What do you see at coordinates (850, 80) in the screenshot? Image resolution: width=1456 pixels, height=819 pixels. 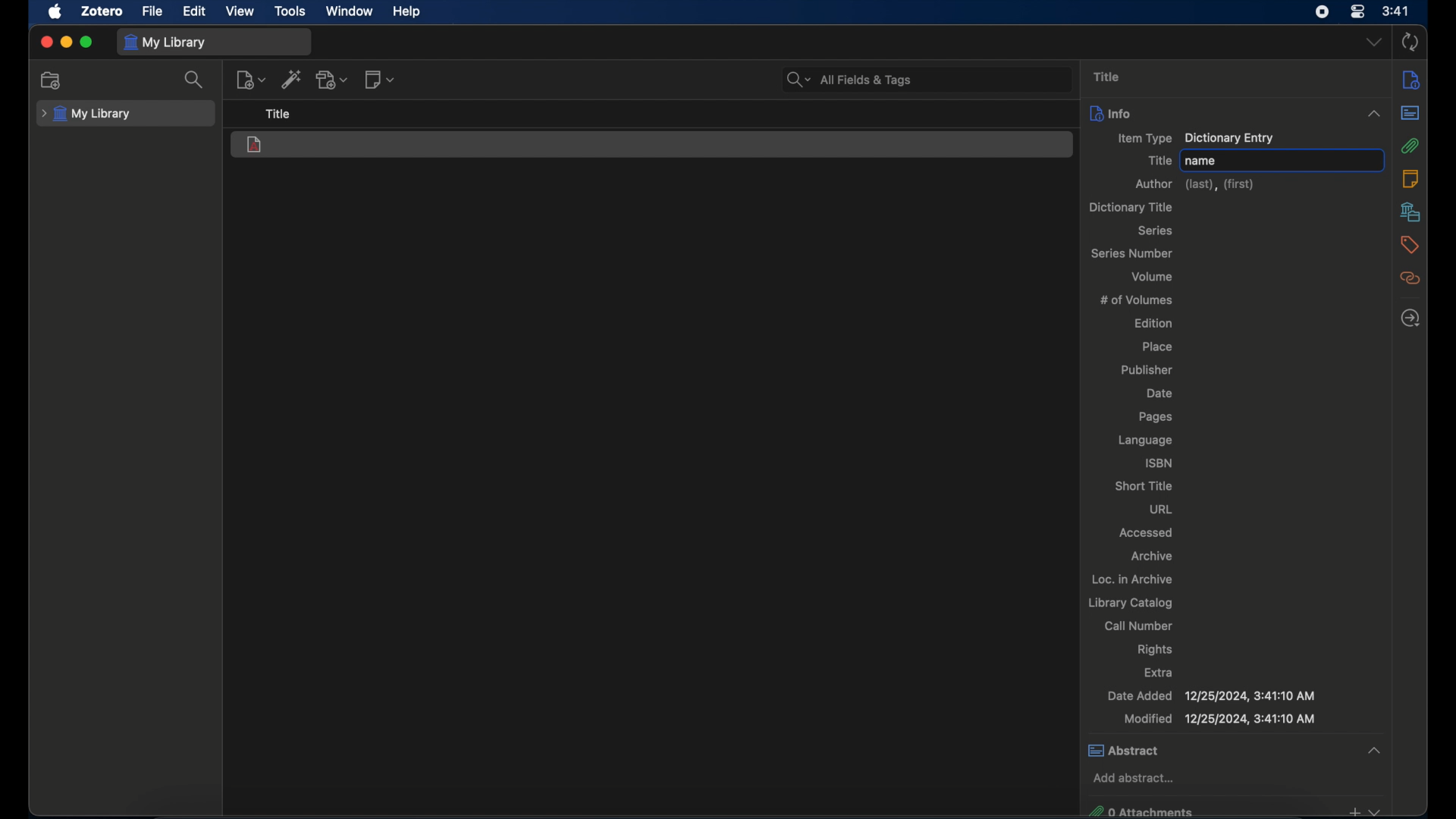 I see `all fields & tags` at bounding box center [850, 80].